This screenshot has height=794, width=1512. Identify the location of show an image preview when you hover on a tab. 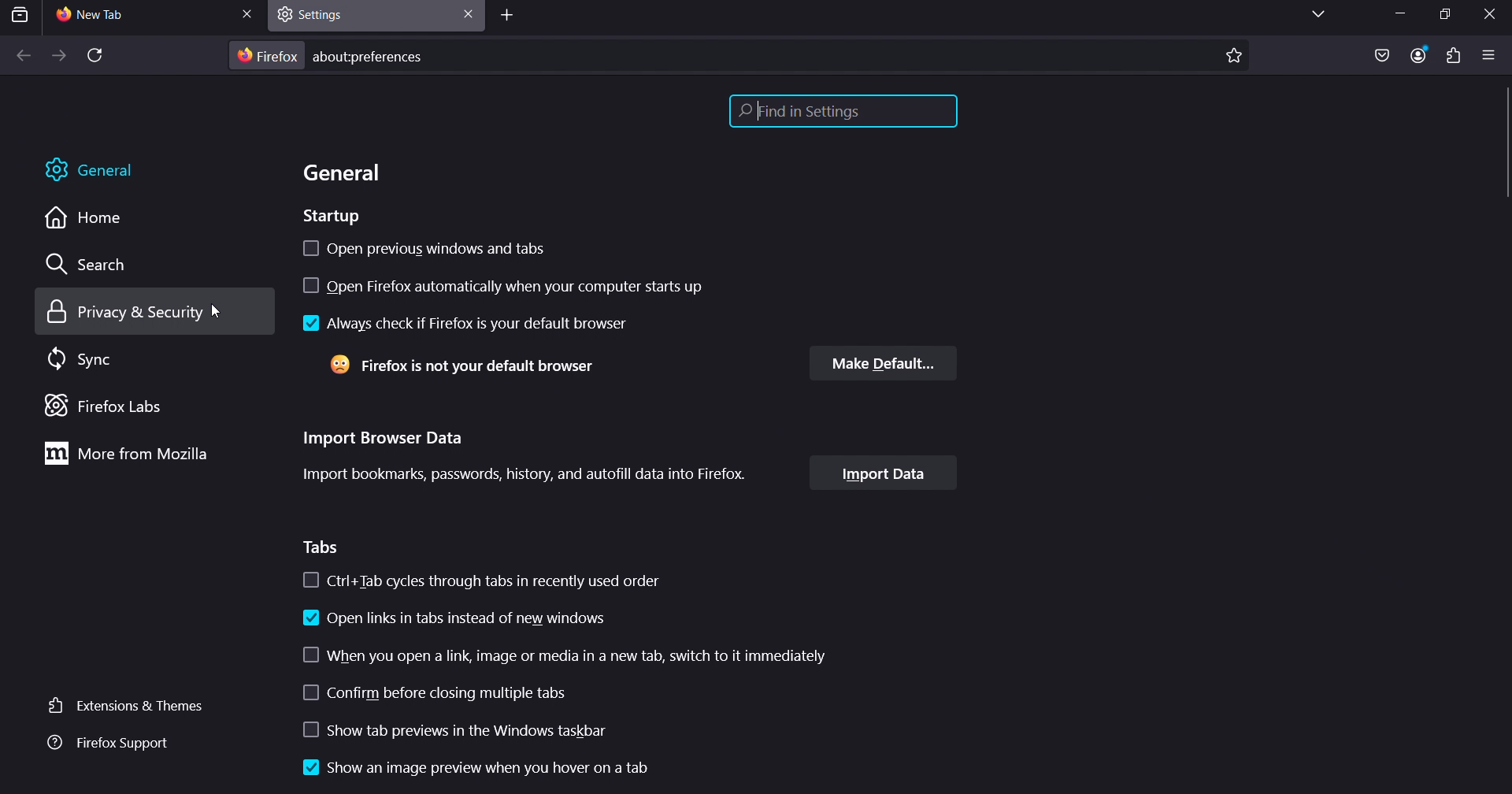
(472, 770).